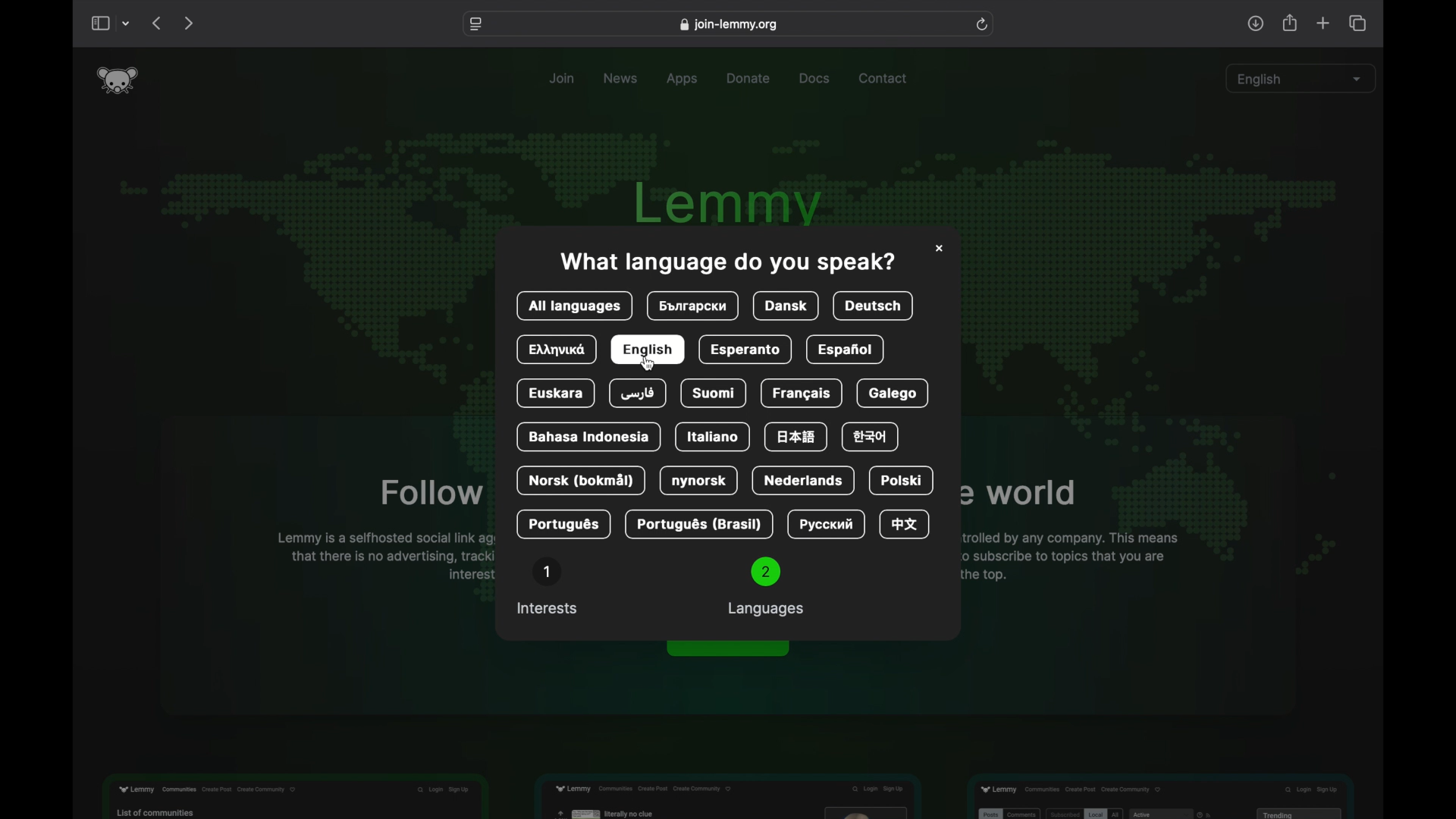 The image size is (1456, 819). I want to click on refresh, so click(982, 24).